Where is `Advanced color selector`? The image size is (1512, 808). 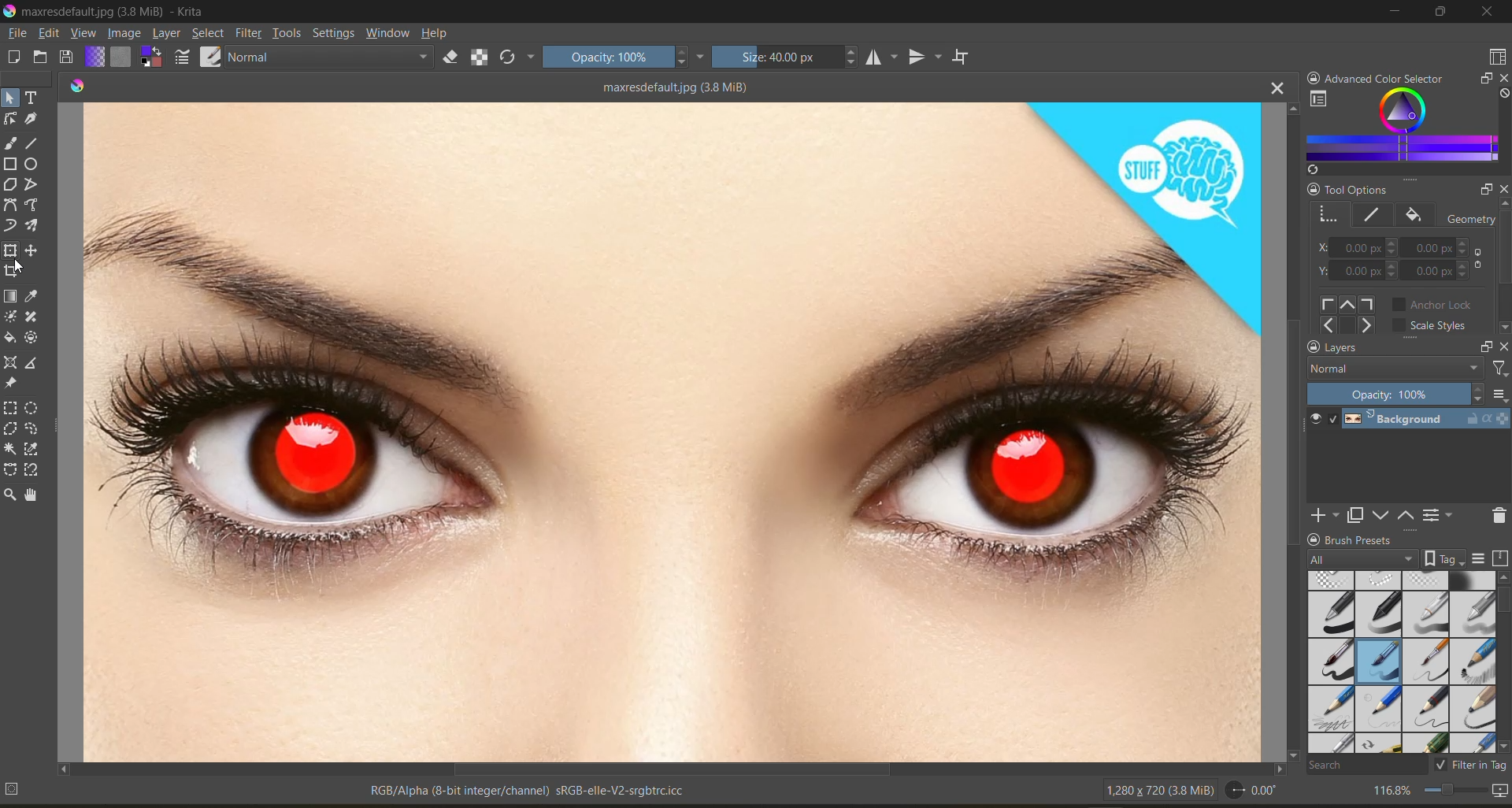
Advanced color selector is located at coordinates (1390, 75).